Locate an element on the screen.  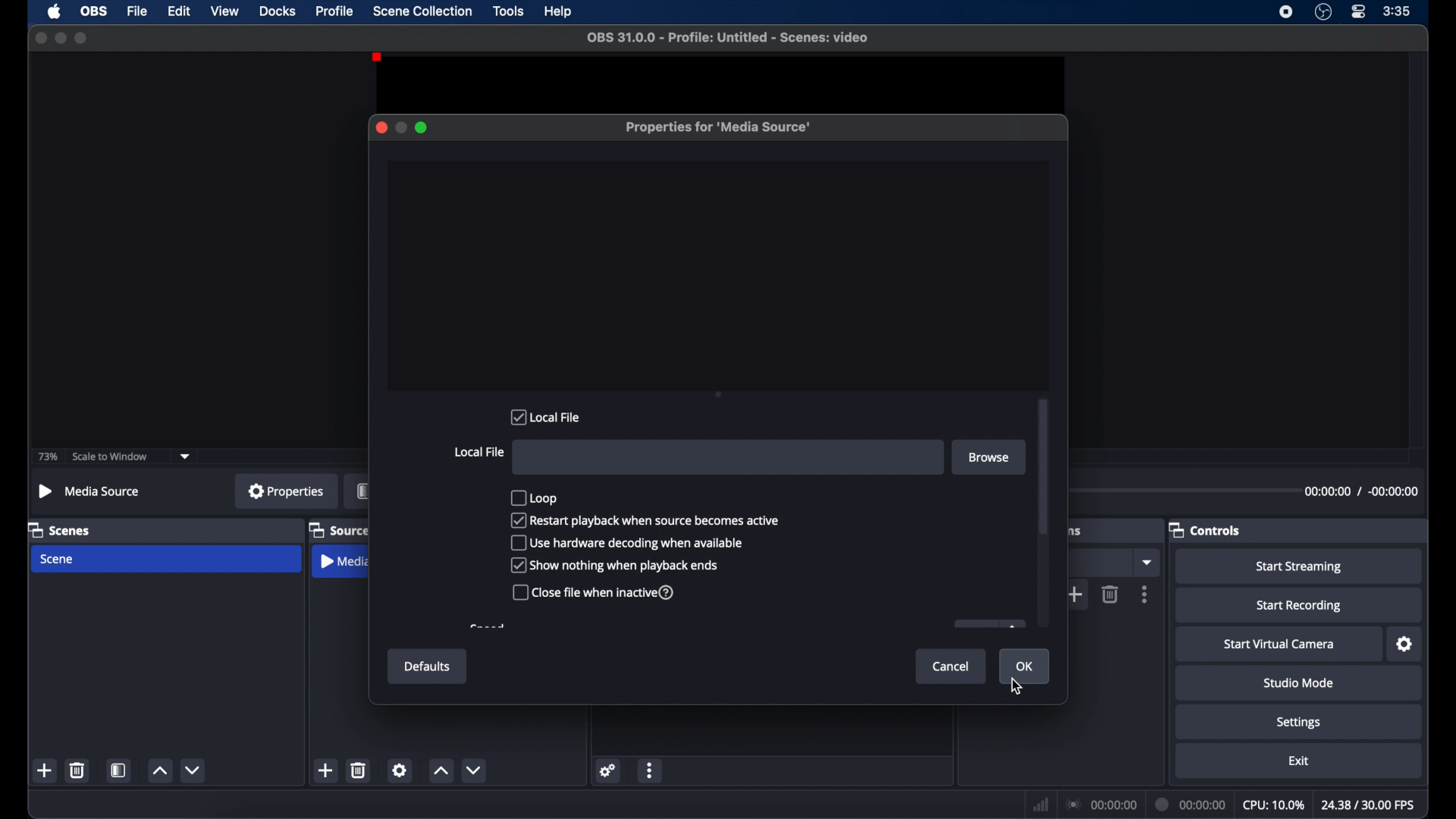
exit is located at coordinates (1298, 760).